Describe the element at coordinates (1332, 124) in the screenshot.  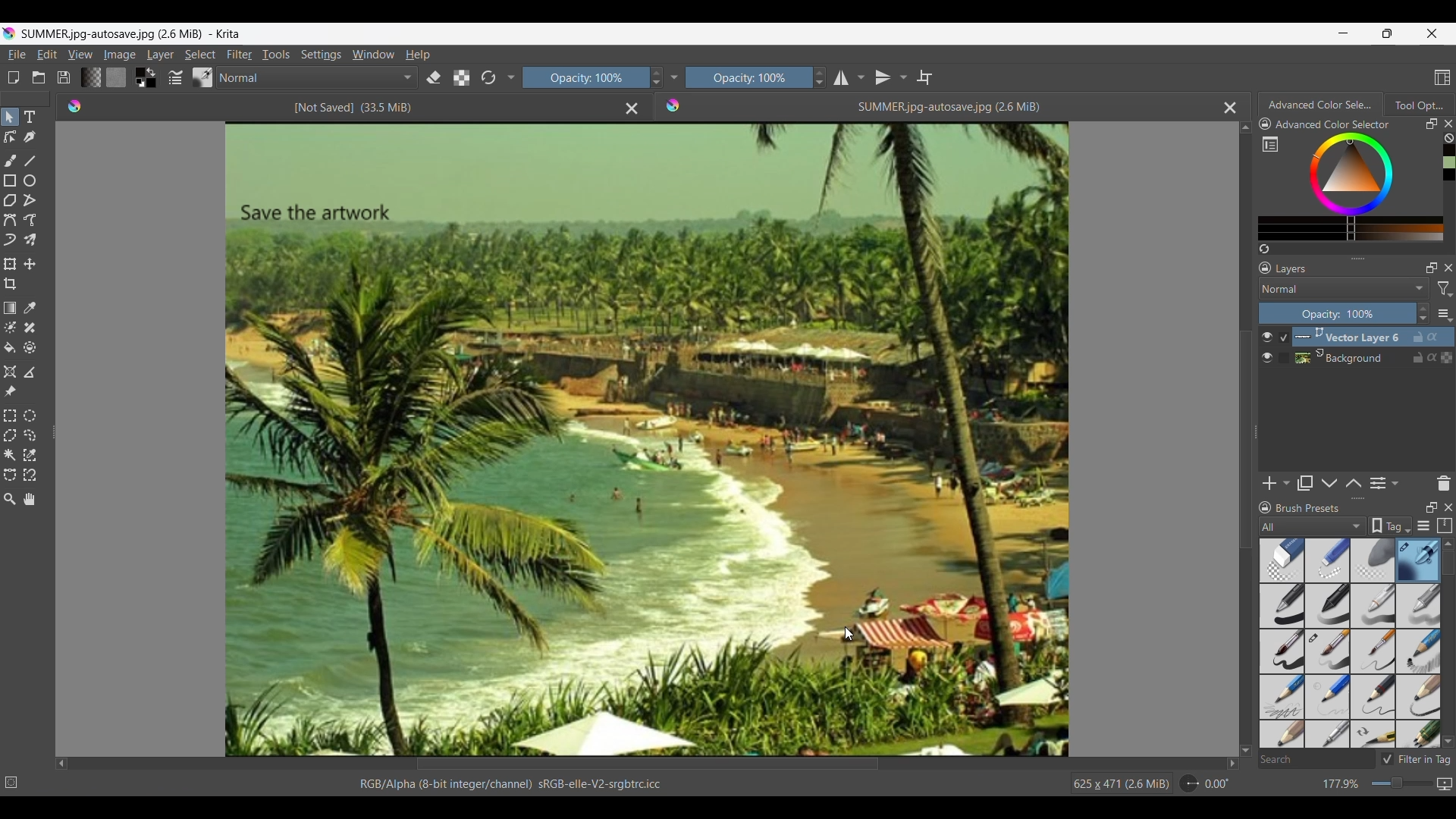
I see `Name of current color setting` at that location.